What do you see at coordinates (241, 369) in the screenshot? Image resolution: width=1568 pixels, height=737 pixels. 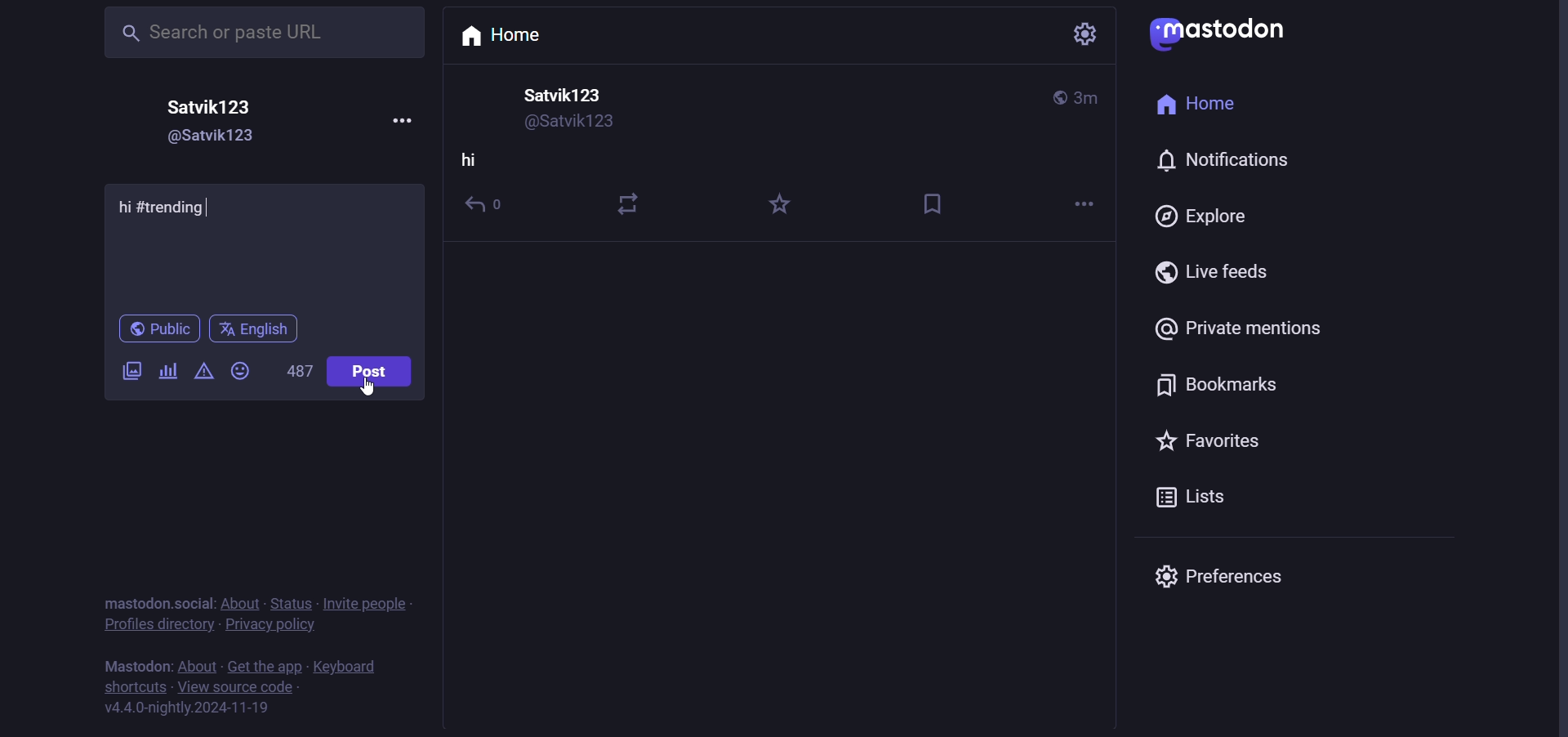 I see `emoji` at bounding box center [241, 369].